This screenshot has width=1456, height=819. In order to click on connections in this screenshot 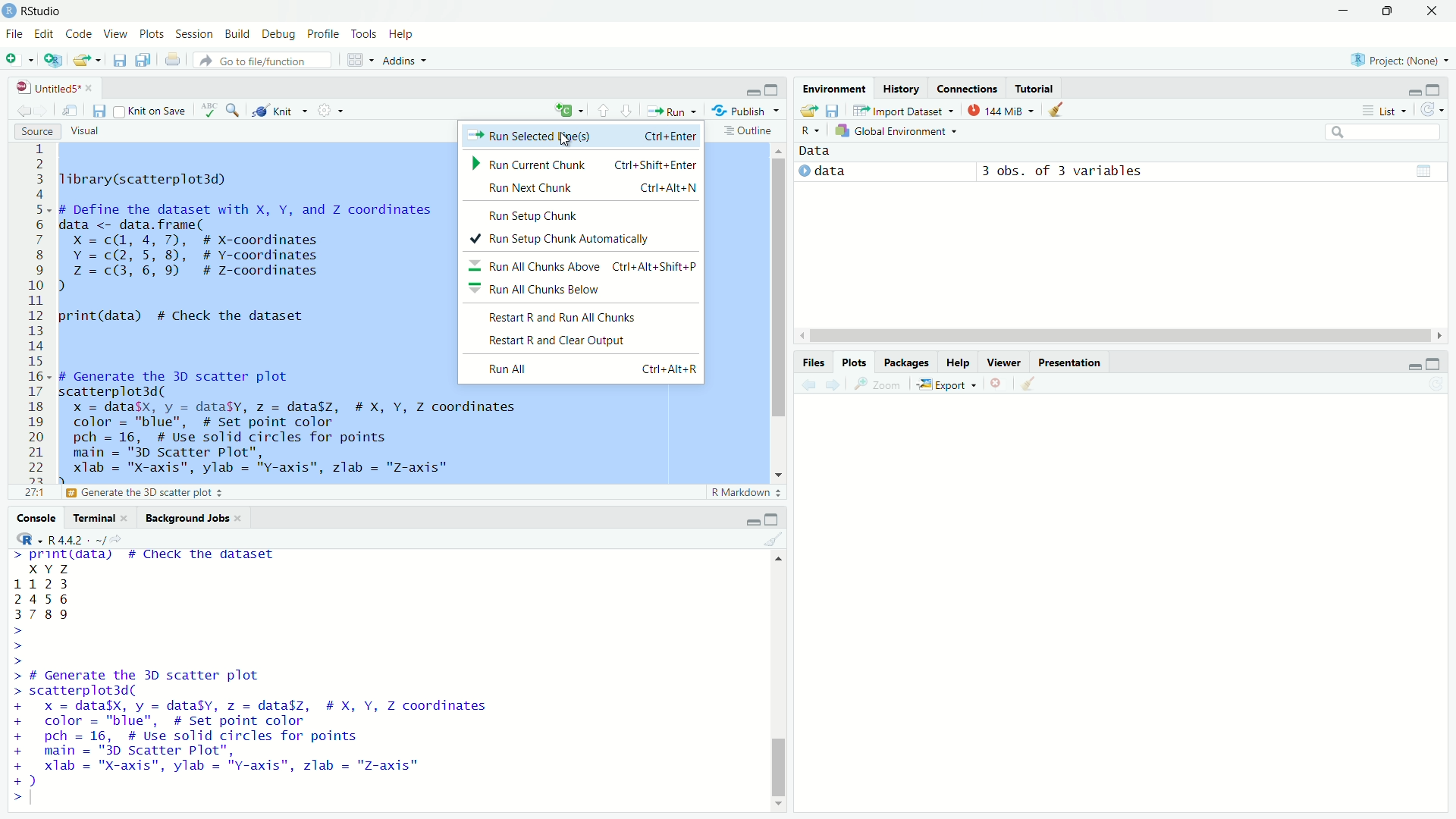, I will do `click(968, 86)`.